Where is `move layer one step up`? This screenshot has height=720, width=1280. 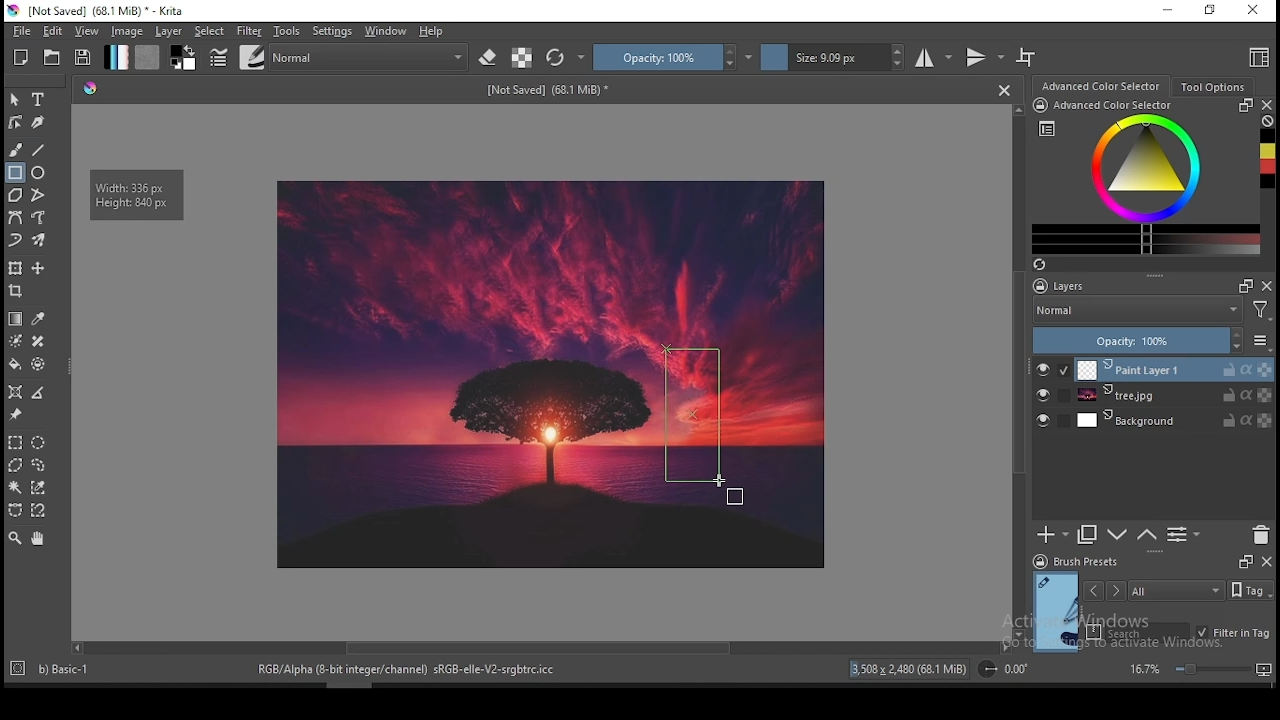
move layer one step up is located at coordinates (1145, 535).